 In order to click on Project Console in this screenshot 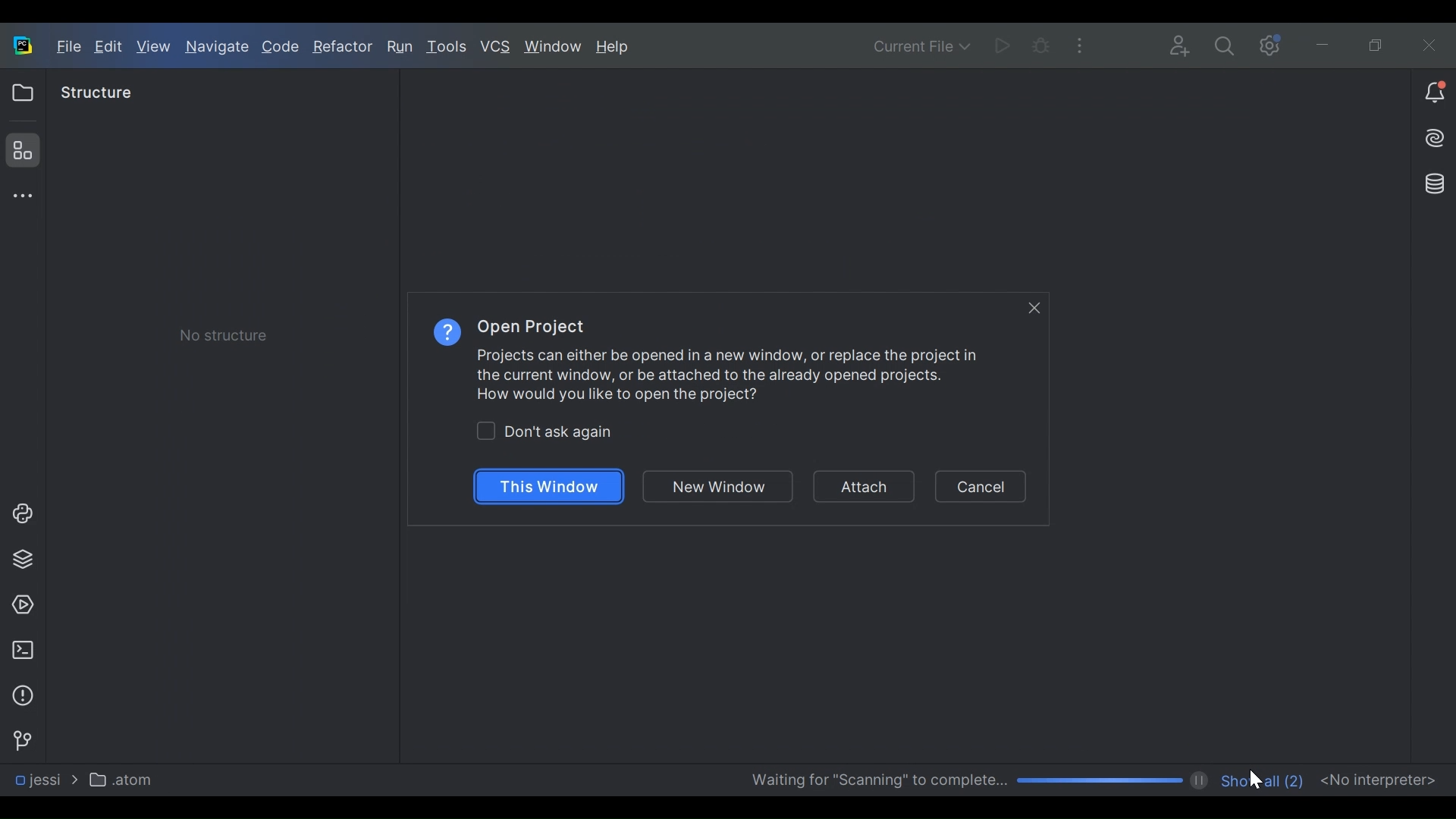, I will do `click(20, 514)`.